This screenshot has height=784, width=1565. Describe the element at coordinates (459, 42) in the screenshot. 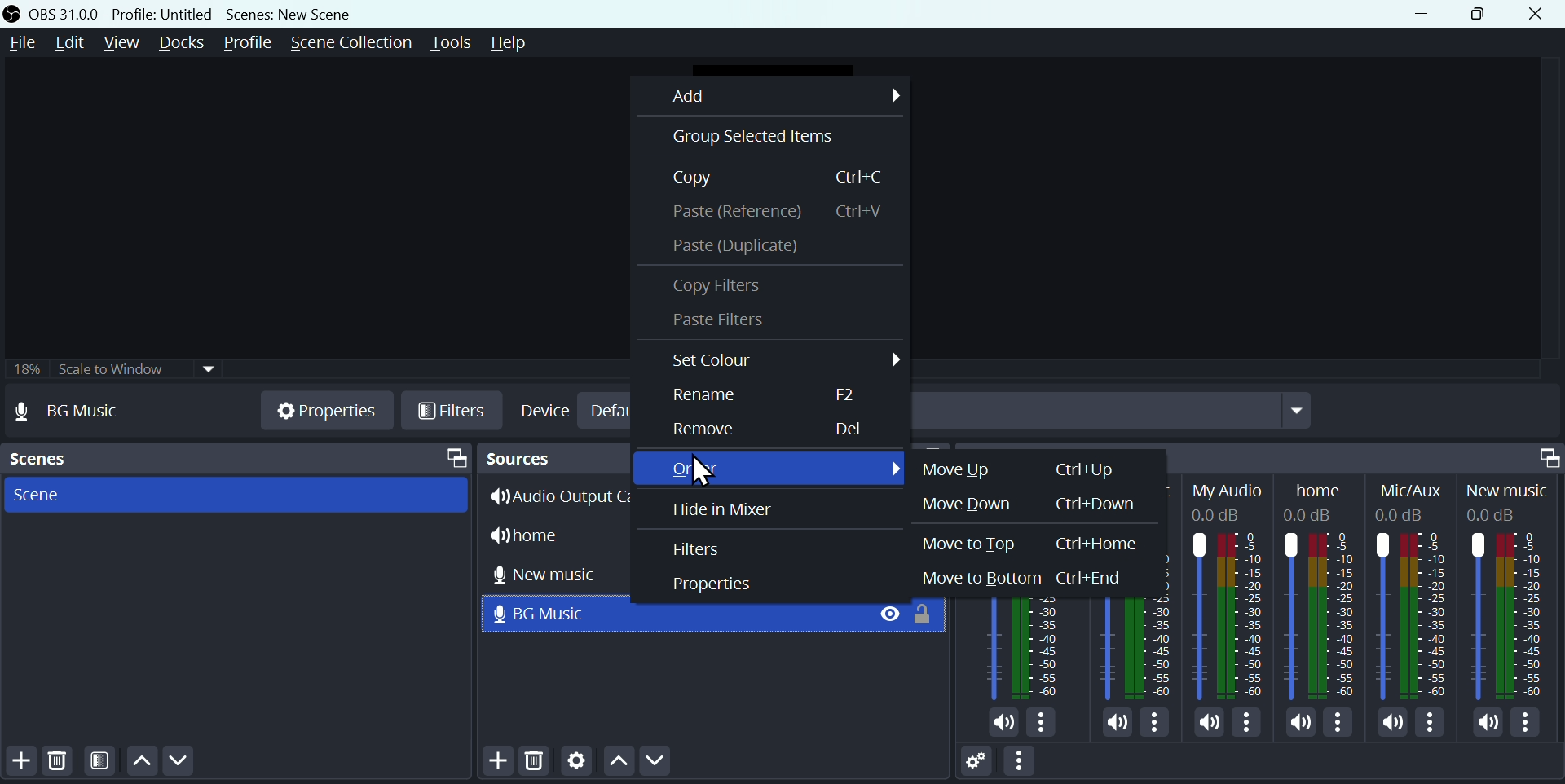

I see `Tools` at that location.